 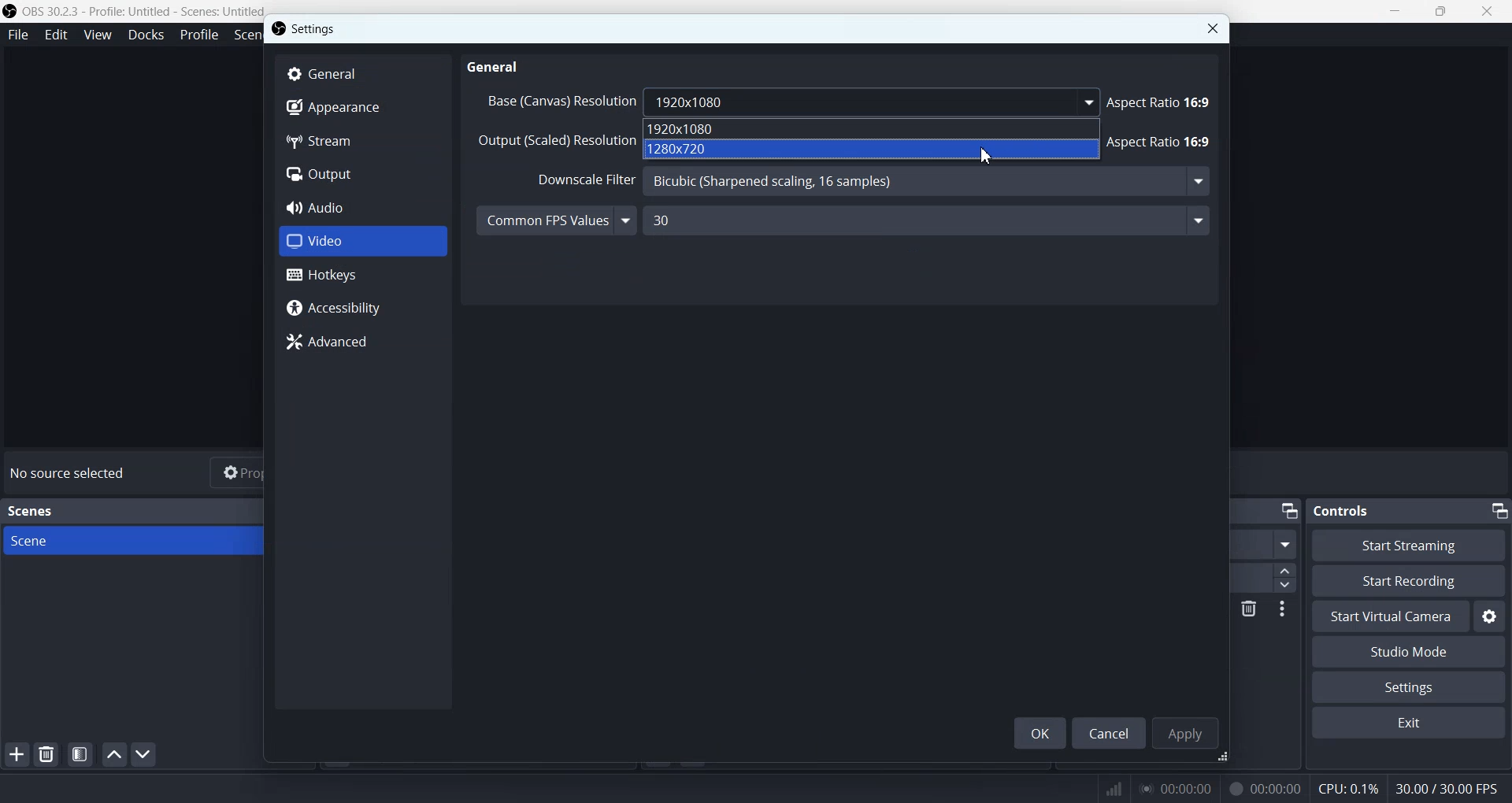 I want to click on Minimize, so click(x=1498, y=509).